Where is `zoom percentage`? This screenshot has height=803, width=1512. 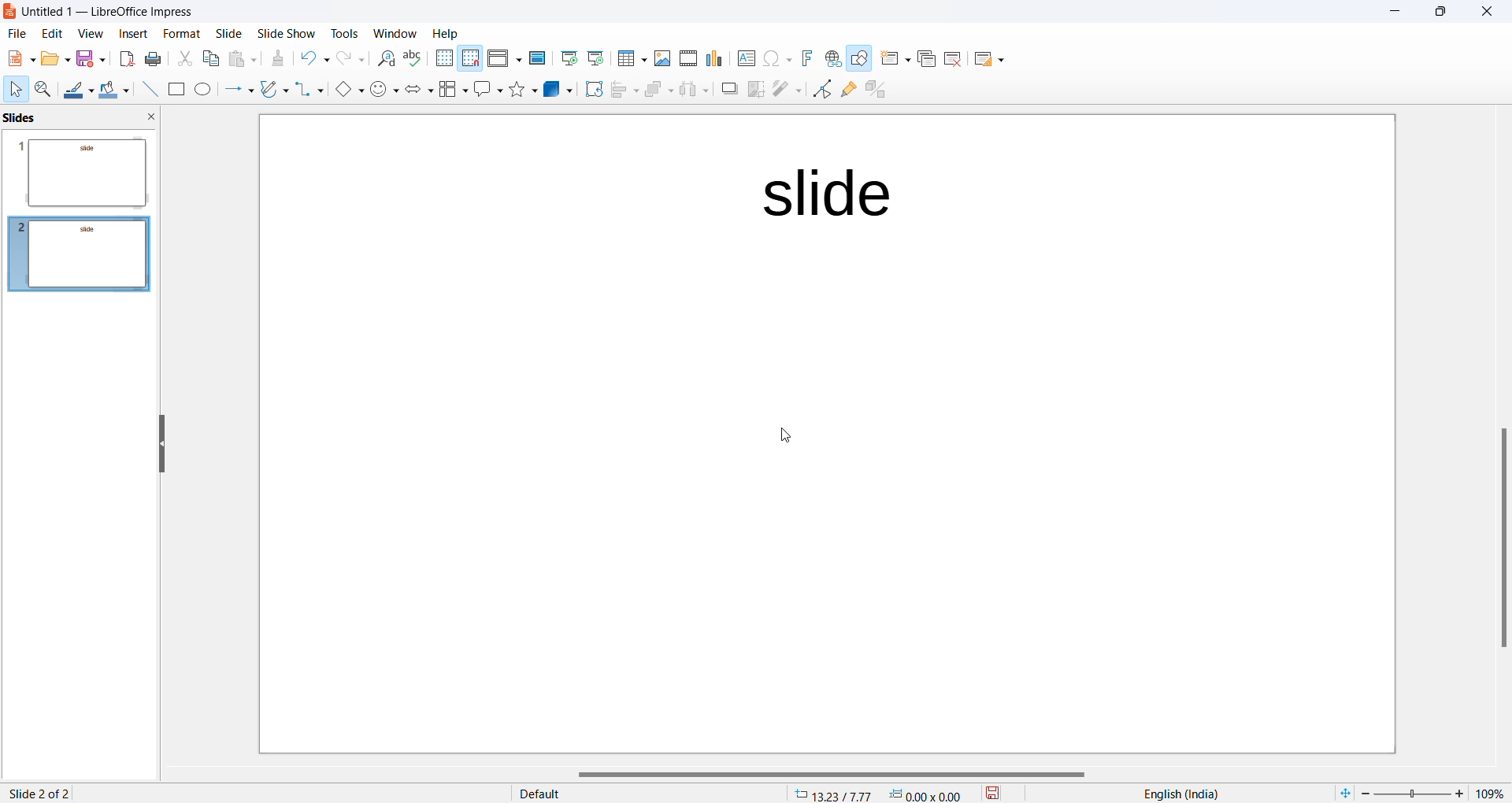
zoom percentage is located at coordinates (1493, 792).